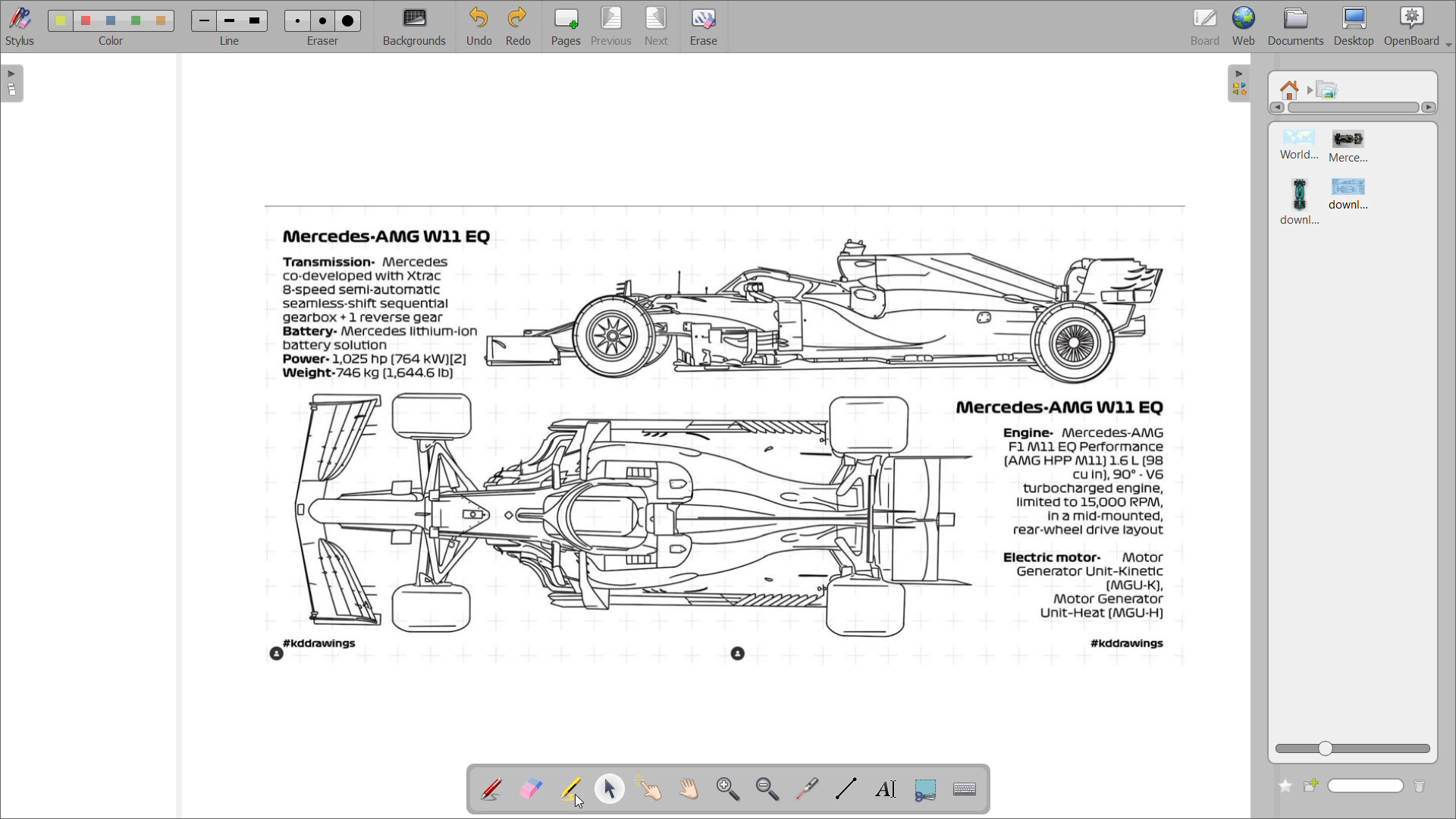 This screenshot has width=1456, height=819. I want to click on image 1, so click(1302, 145).